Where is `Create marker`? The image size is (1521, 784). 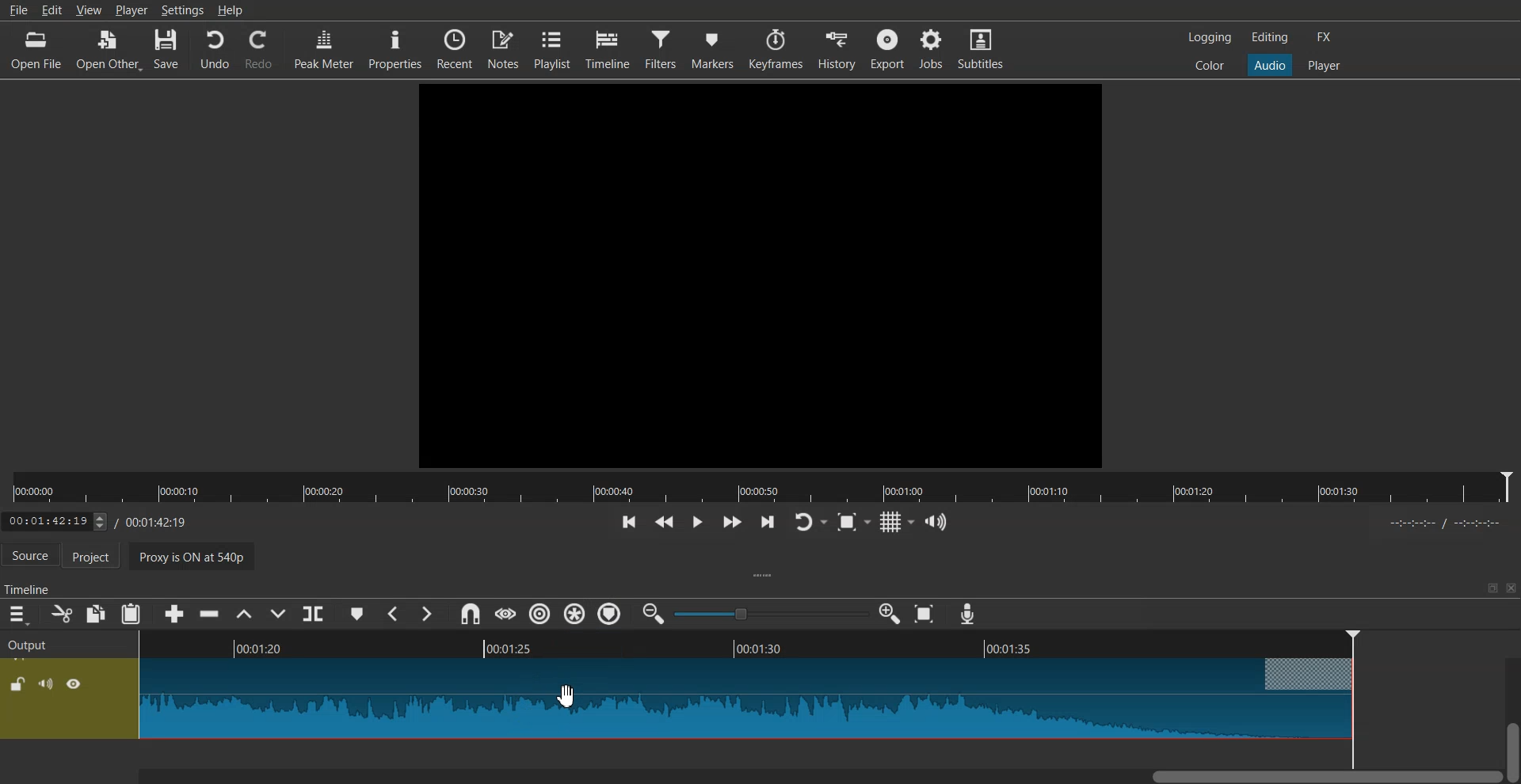 Create marker is located at coordinates (356, 611).